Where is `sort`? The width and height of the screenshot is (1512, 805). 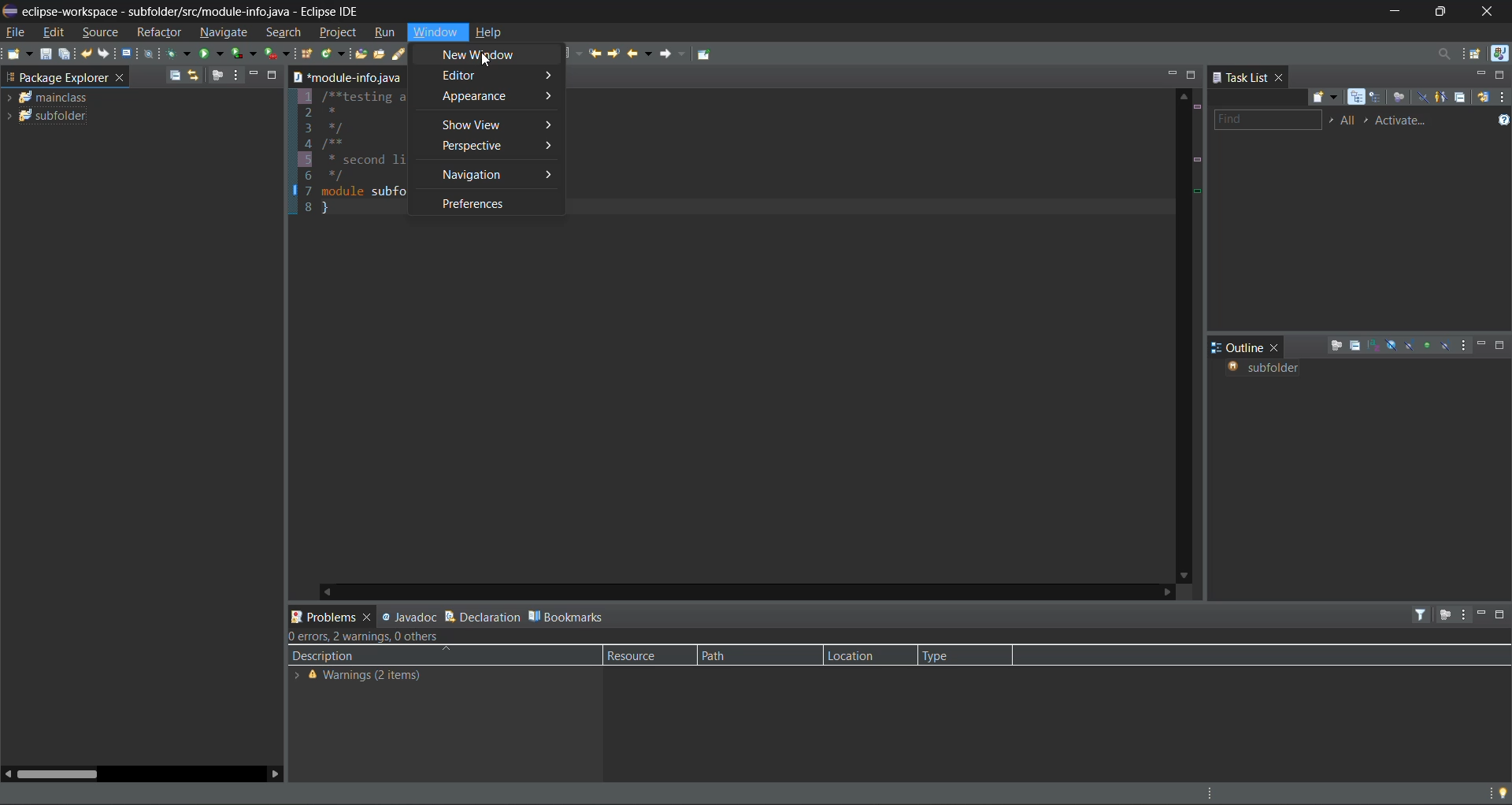
sort is located at coordinates (1376, 345).